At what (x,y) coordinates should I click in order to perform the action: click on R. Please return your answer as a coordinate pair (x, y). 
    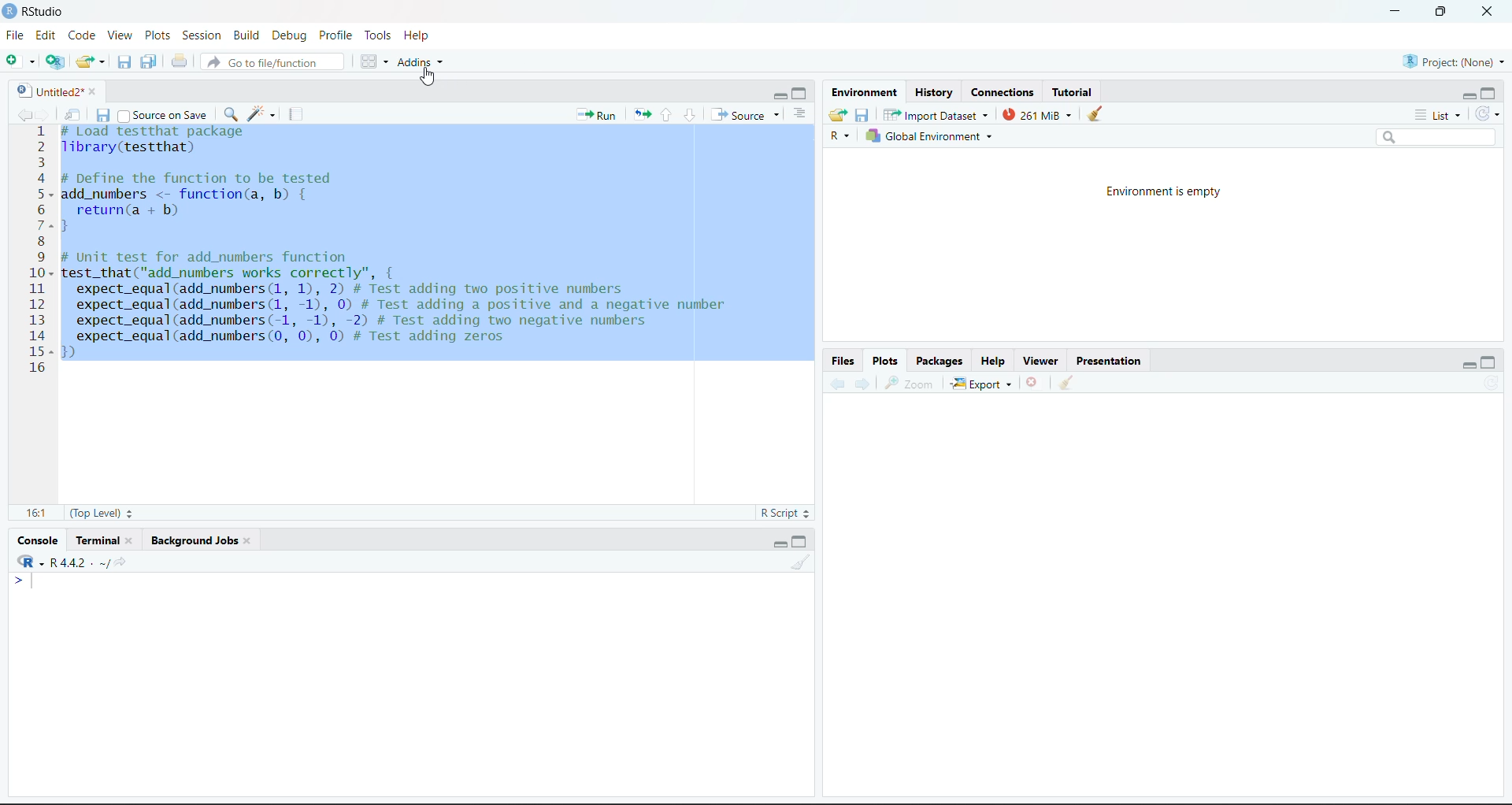
    Looking at the image, I should click on (837, 135).